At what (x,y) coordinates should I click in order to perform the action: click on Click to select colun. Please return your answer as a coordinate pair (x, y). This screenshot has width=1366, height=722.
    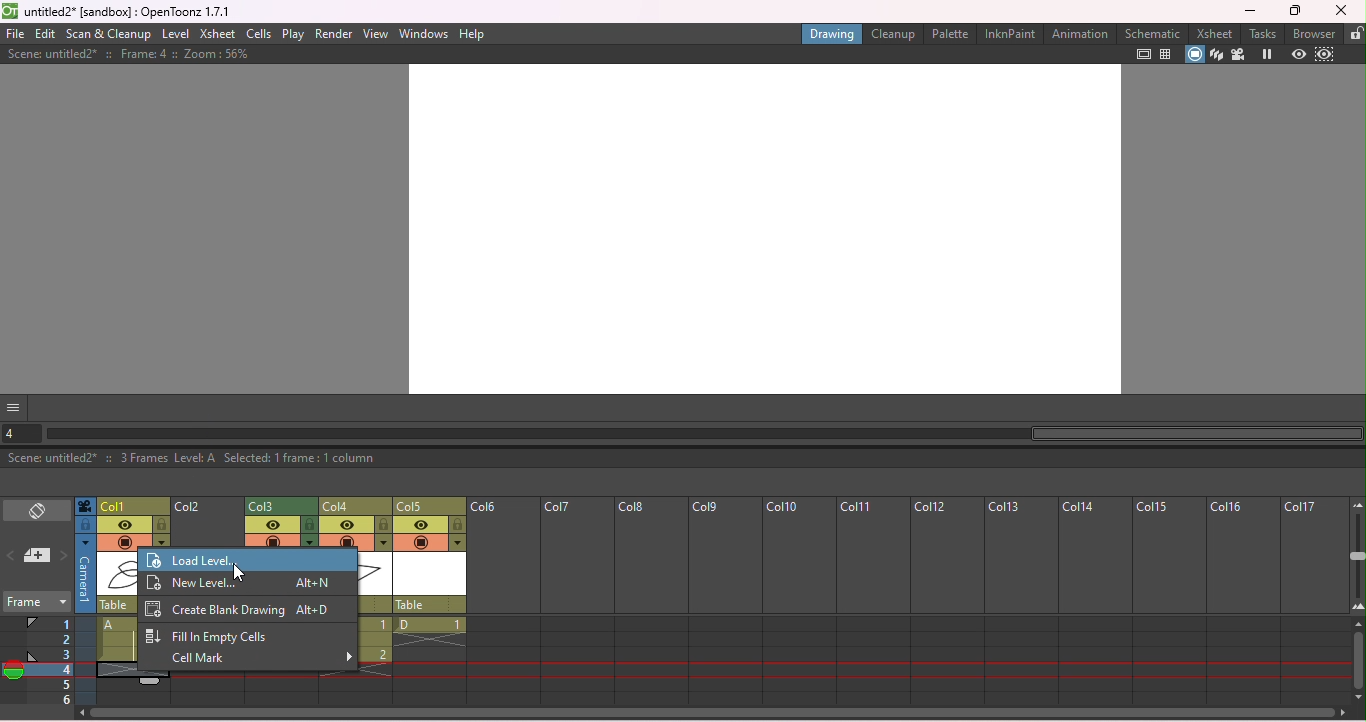
    Looking at the image, I should click on (134, 505).